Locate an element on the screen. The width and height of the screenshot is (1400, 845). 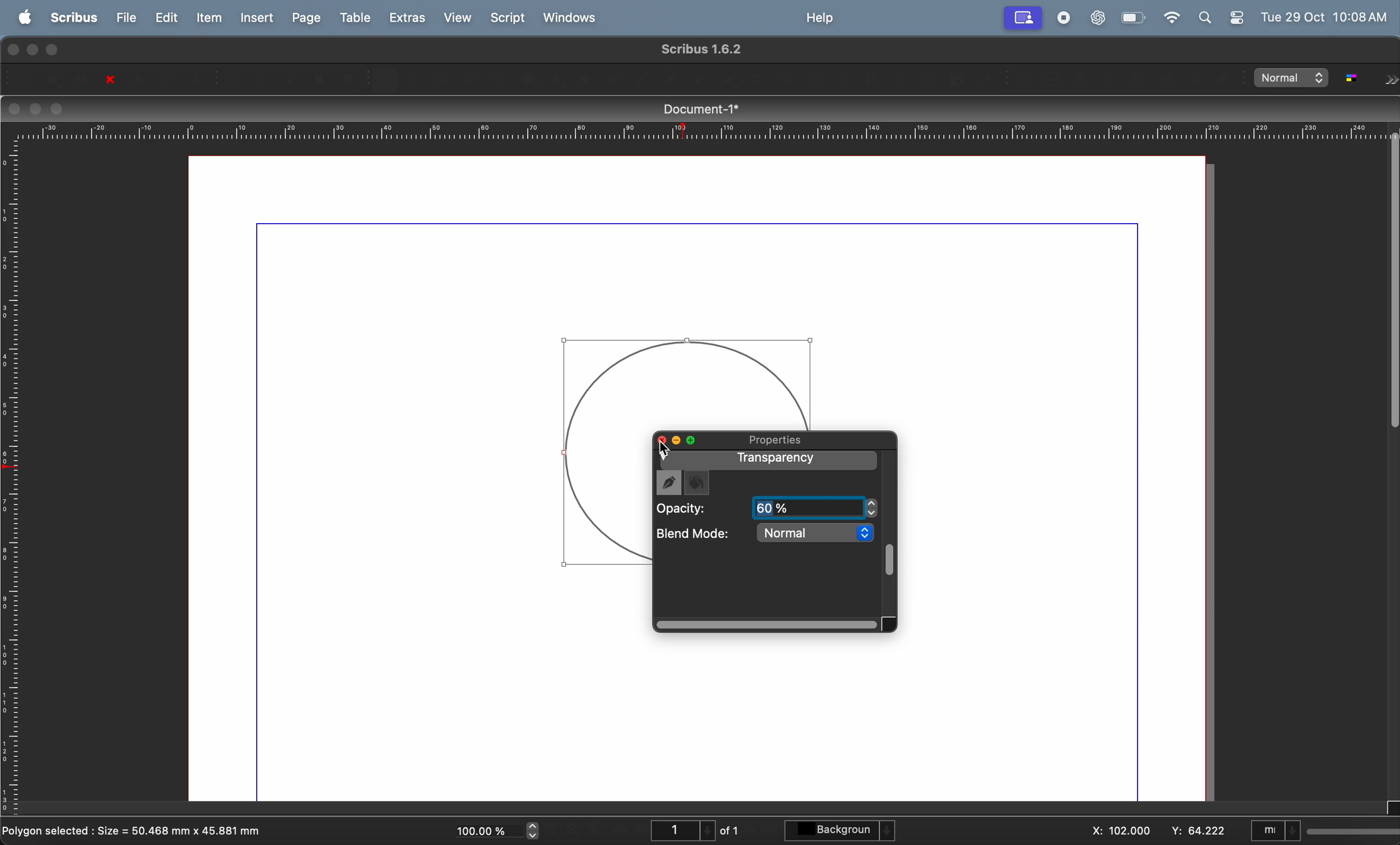
minimize is located at coordinates (31, 49).